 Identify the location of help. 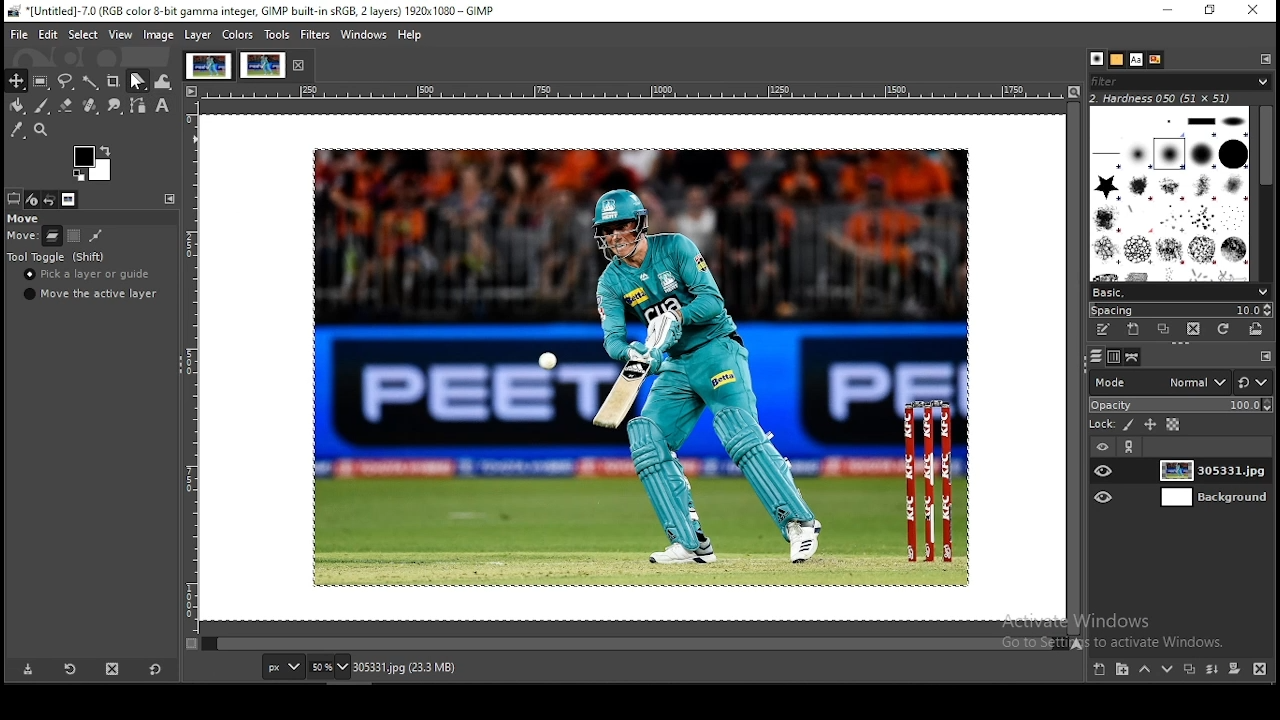
(411, 35).